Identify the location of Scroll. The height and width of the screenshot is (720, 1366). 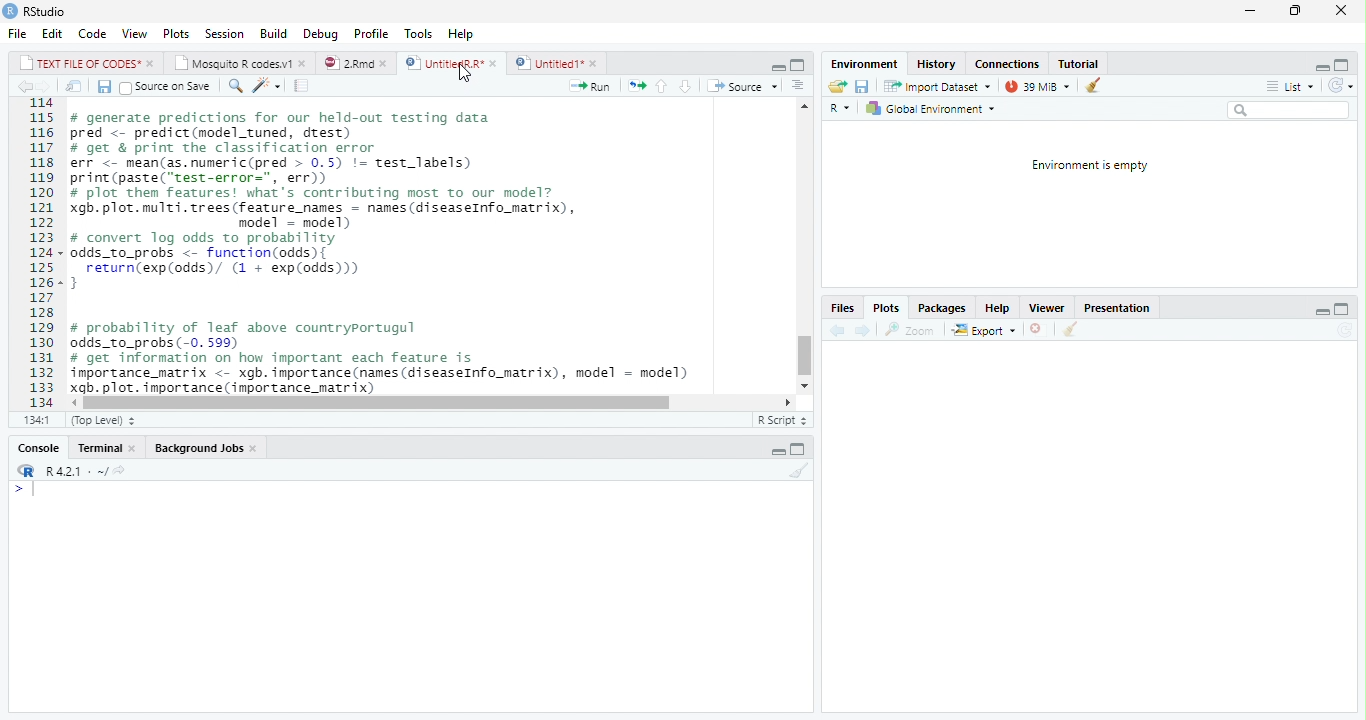
(805, 245).